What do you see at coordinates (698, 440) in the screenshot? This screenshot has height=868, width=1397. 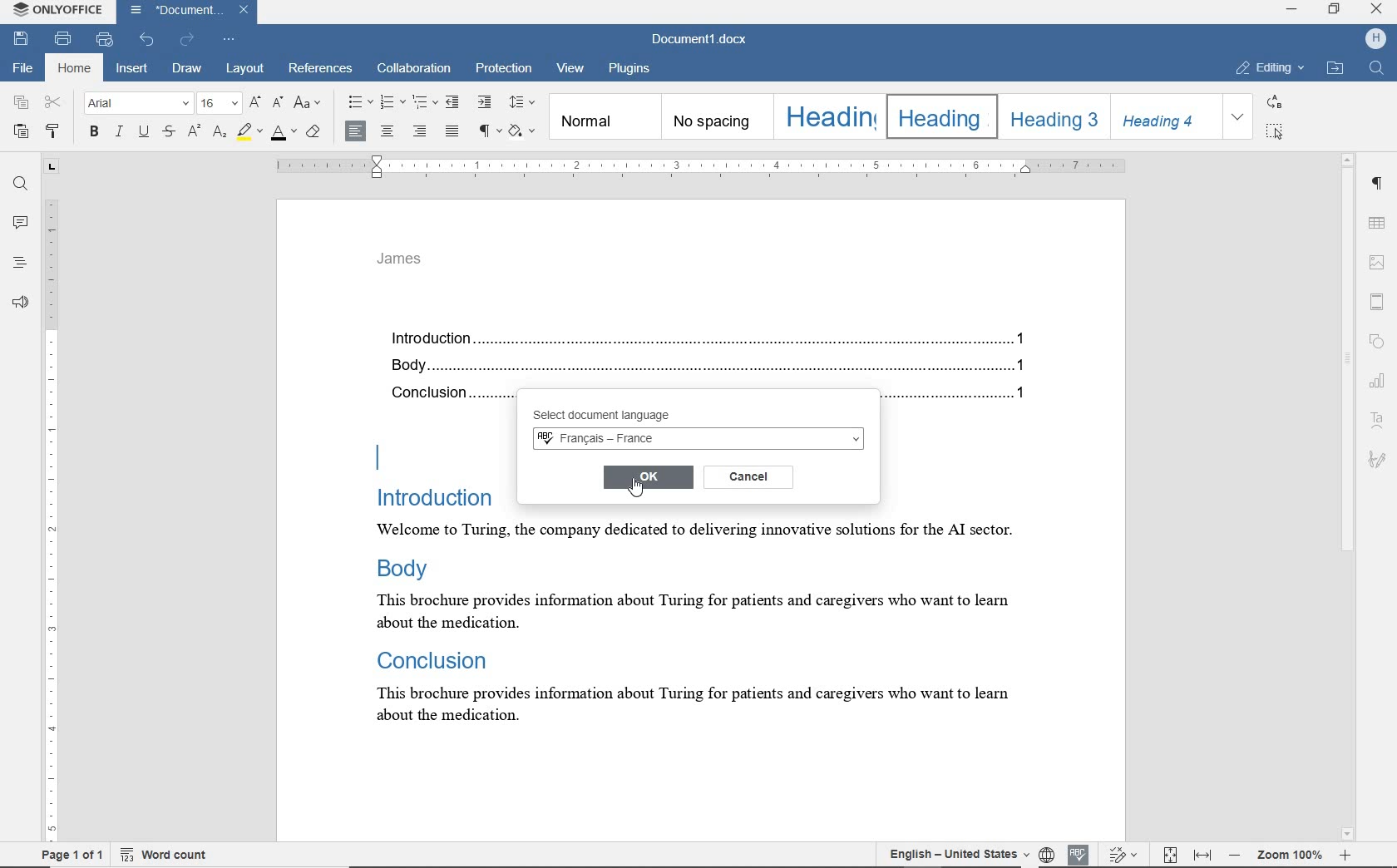 I see `François - France` at bounding box center [698, 440].